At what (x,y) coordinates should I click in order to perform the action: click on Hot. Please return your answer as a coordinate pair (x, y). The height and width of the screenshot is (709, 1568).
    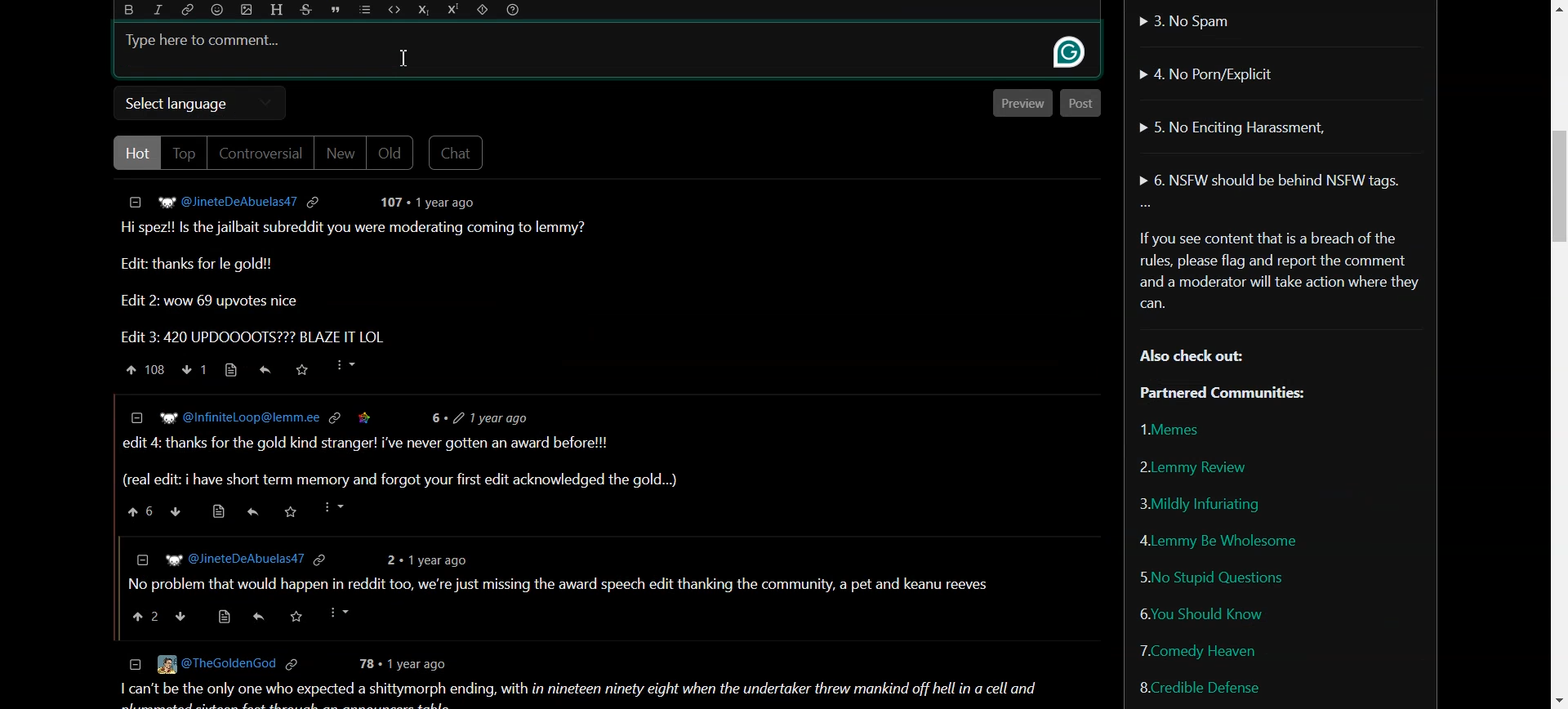
    Looking at the image, I should click on (134, 154).